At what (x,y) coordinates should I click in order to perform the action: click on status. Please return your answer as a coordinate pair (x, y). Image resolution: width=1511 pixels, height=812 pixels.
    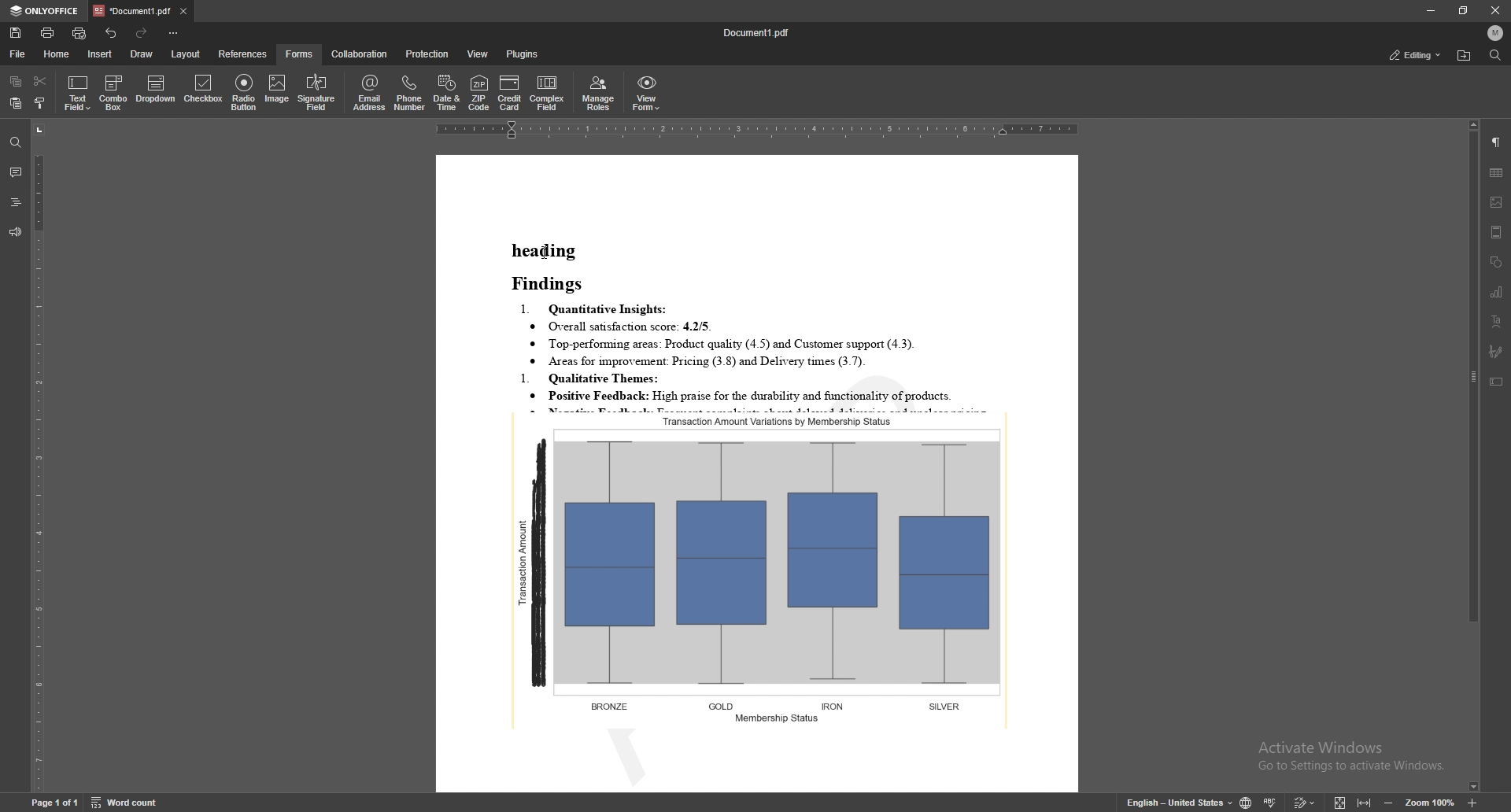
    Looking at the image, I should click on (1416, 55).